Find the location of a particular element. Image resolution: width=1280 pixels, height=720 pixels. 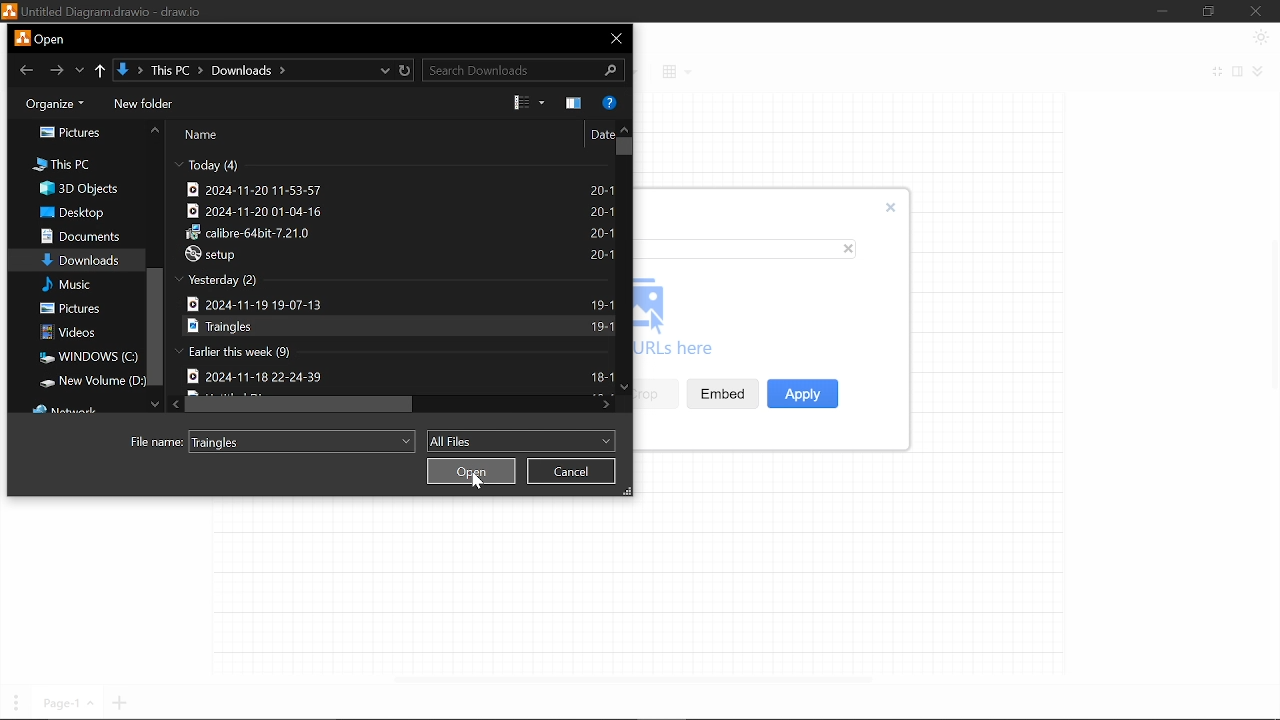

vertical scrollbar for files in "Download" is located at coordinates (625, 148).